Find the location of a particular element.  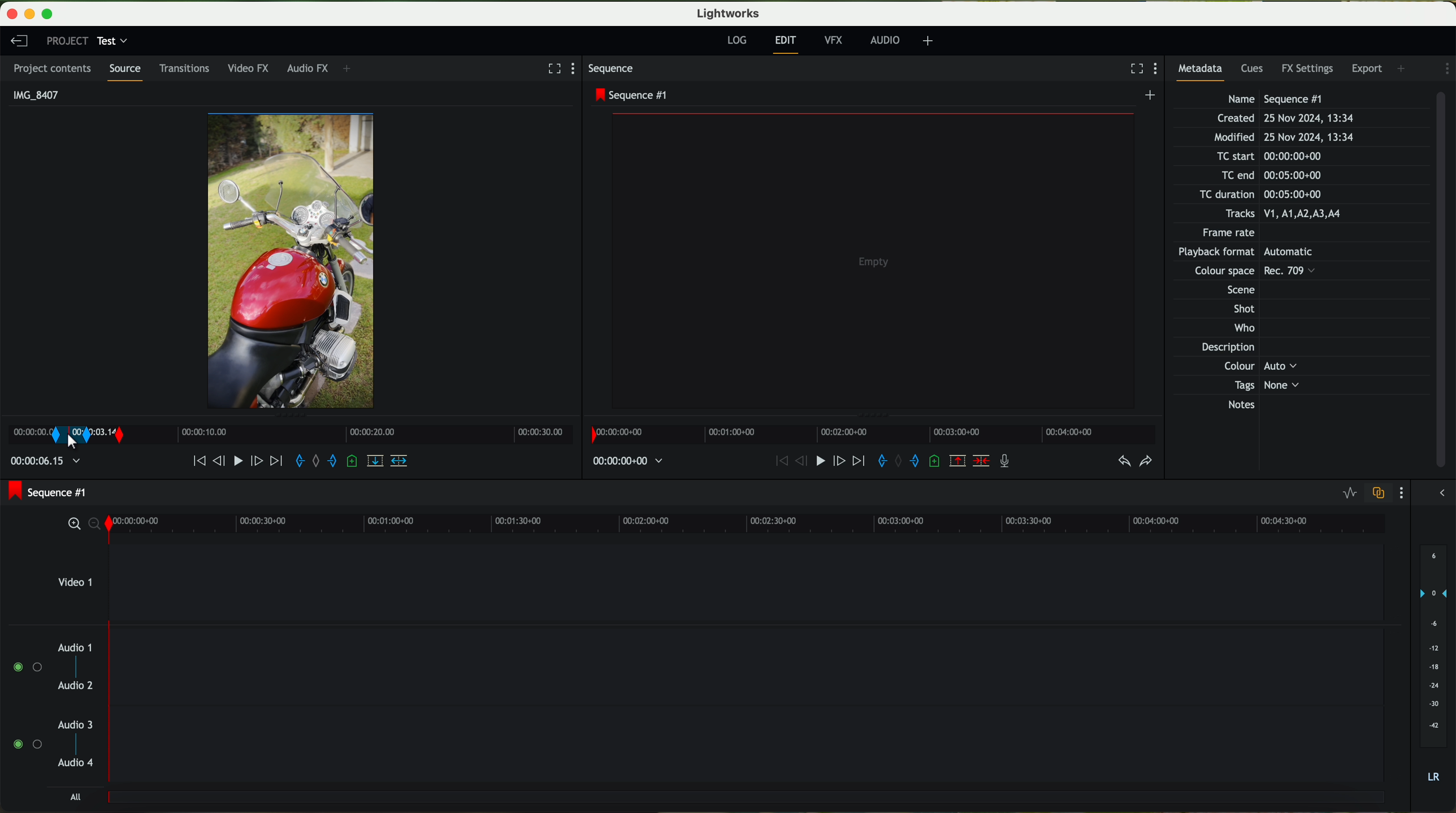

Frame rate is located at coordinates (1232, 235).